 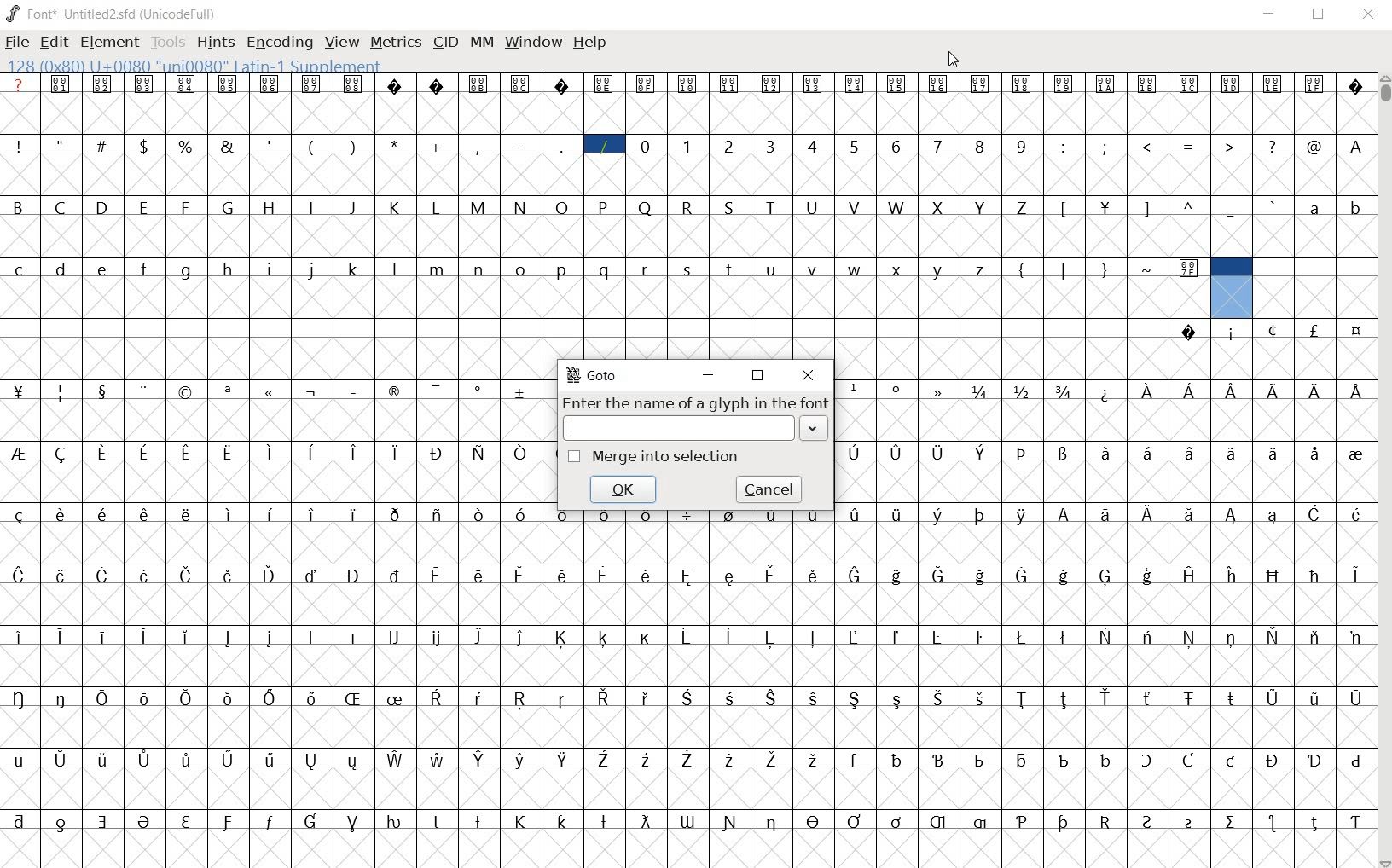 What do you see at coordinates (591, 43) in the screenshot?
I see `Help` at bounding box center [591, 43].